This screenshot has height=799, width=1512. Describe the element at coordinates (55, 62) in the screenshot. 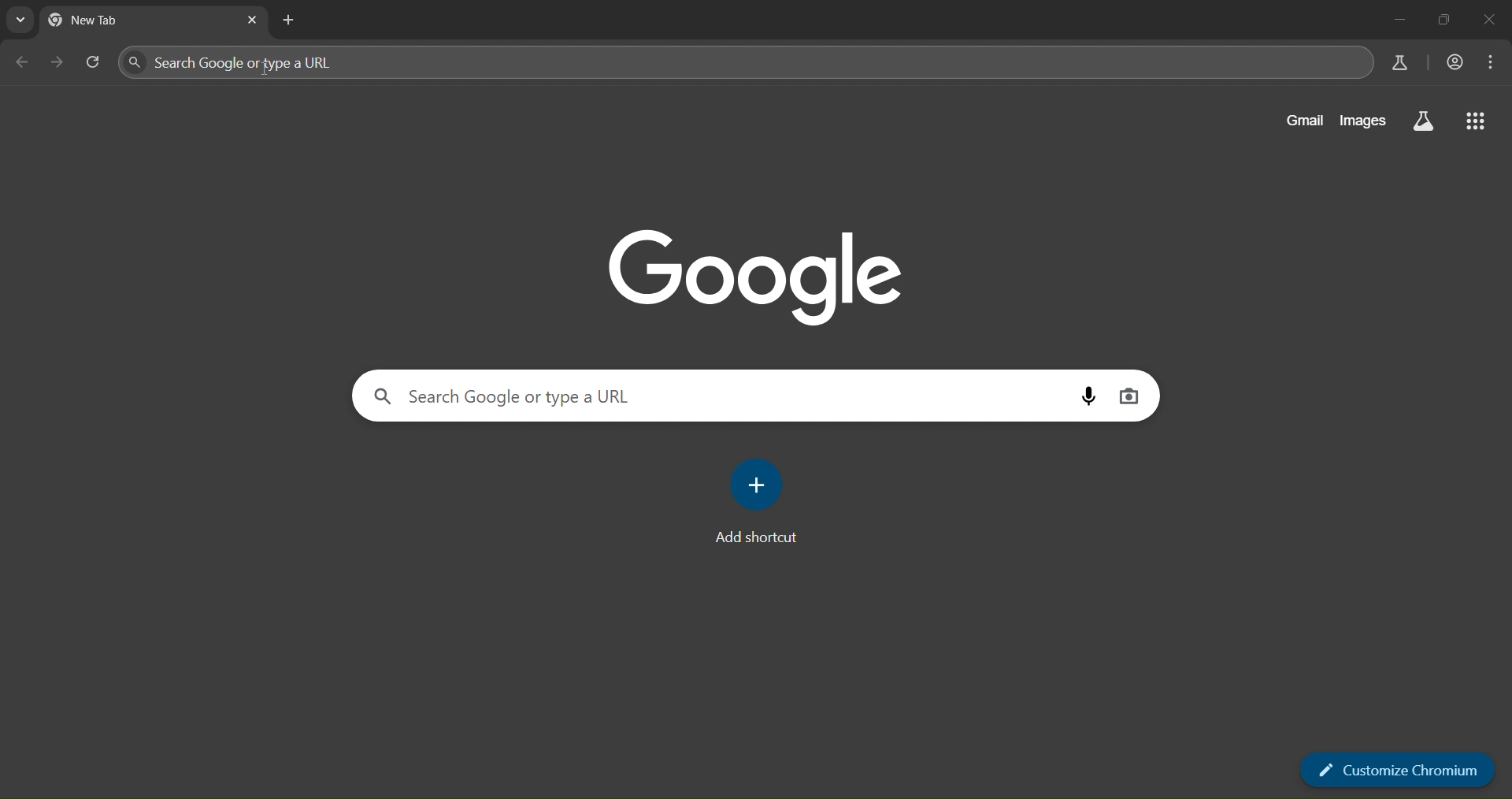

I see `go forward one page` at that location.